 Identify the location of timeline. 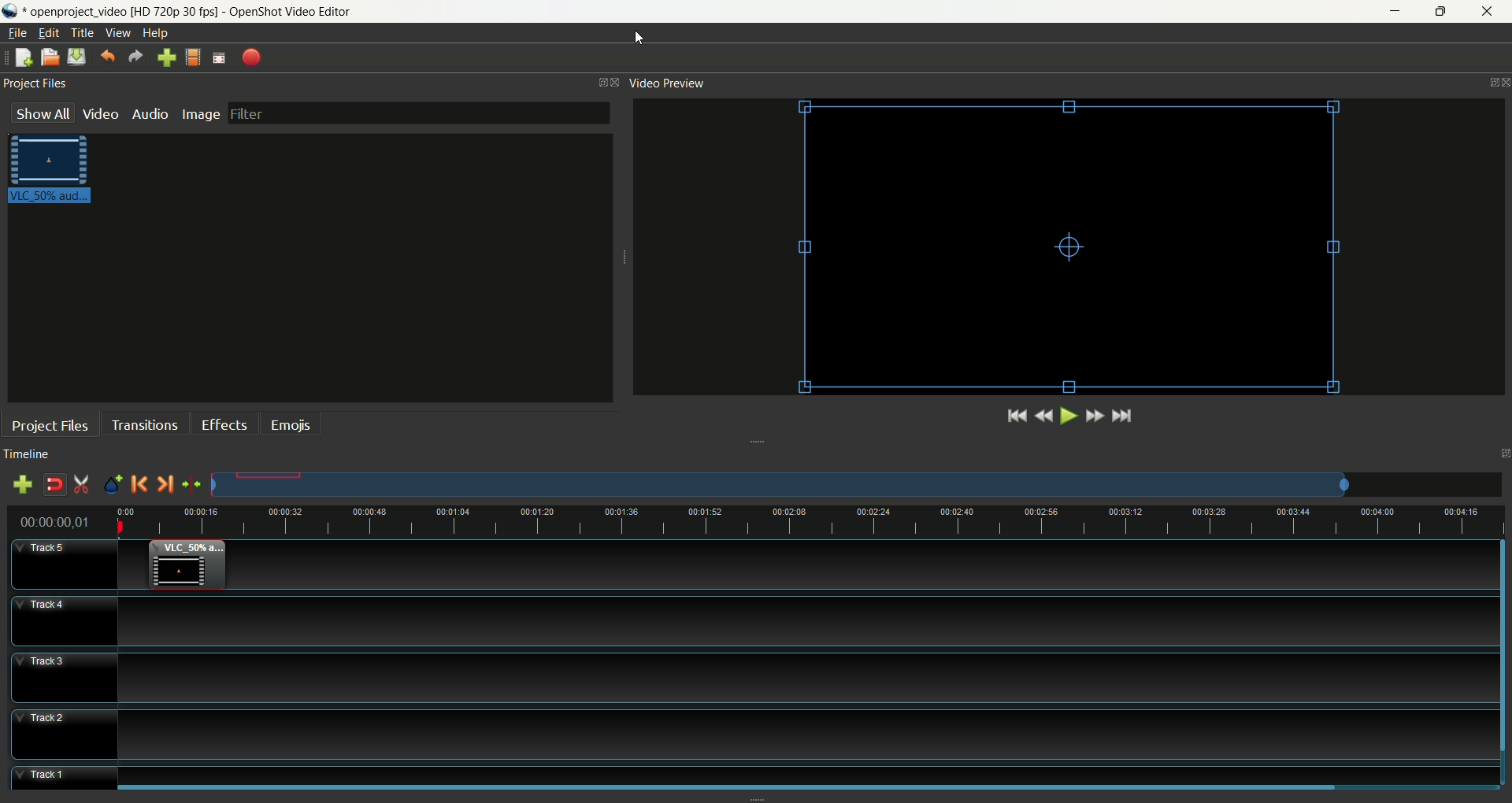
(31, 453).